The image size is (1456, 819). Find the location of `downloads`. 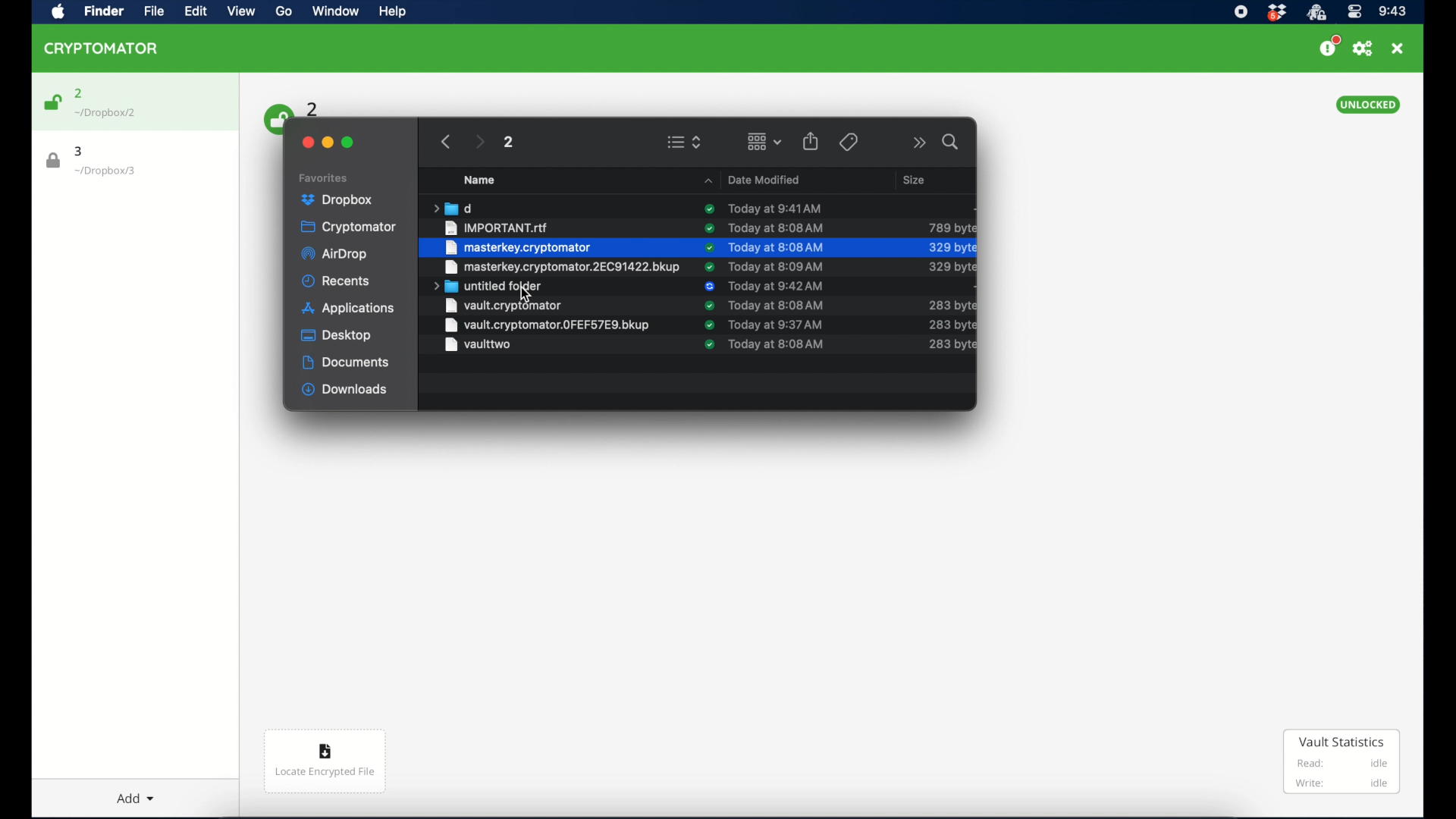

downloads is located at coordinates (345, 390).